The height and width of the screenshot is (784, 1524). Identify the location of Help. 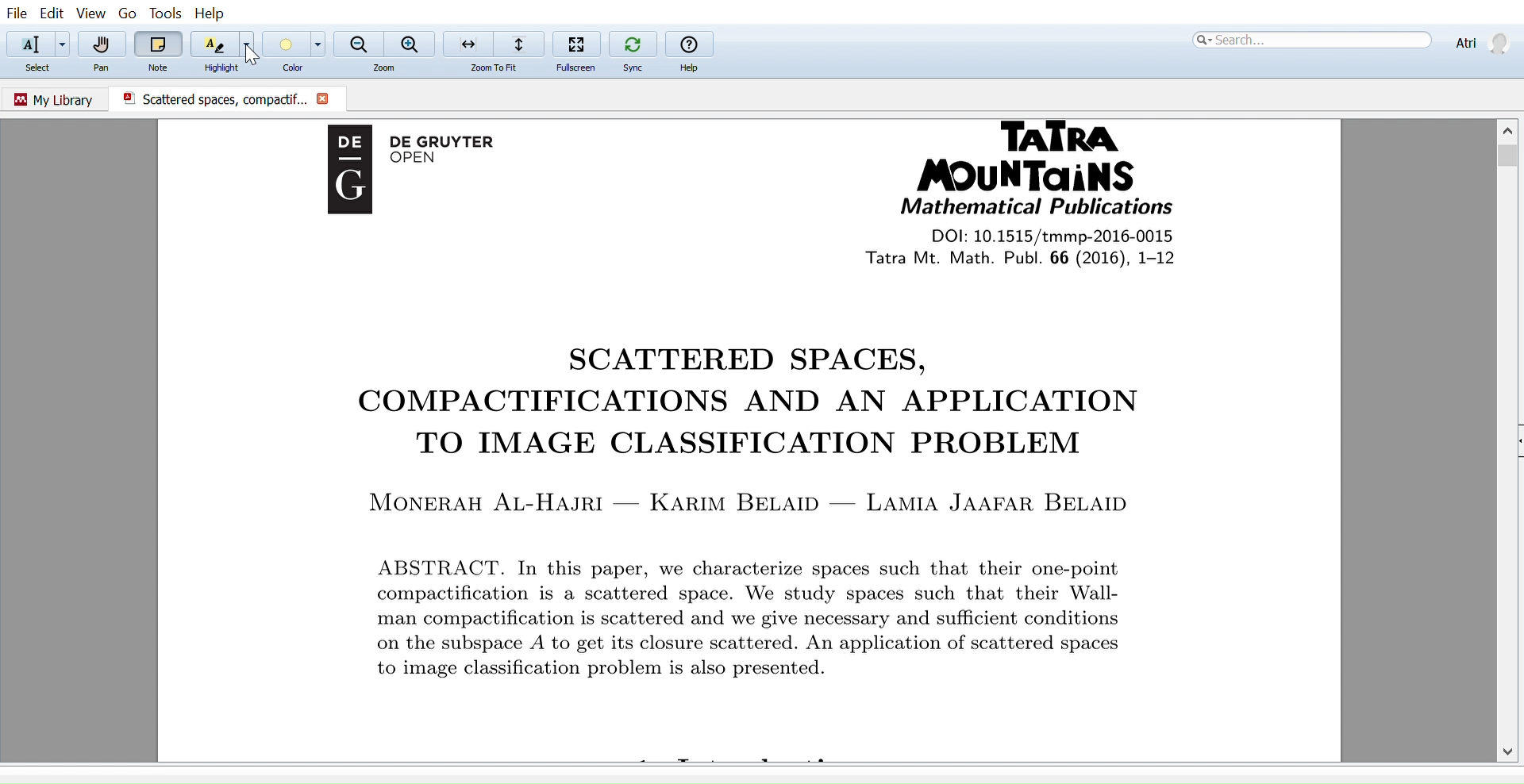
(214, 13).